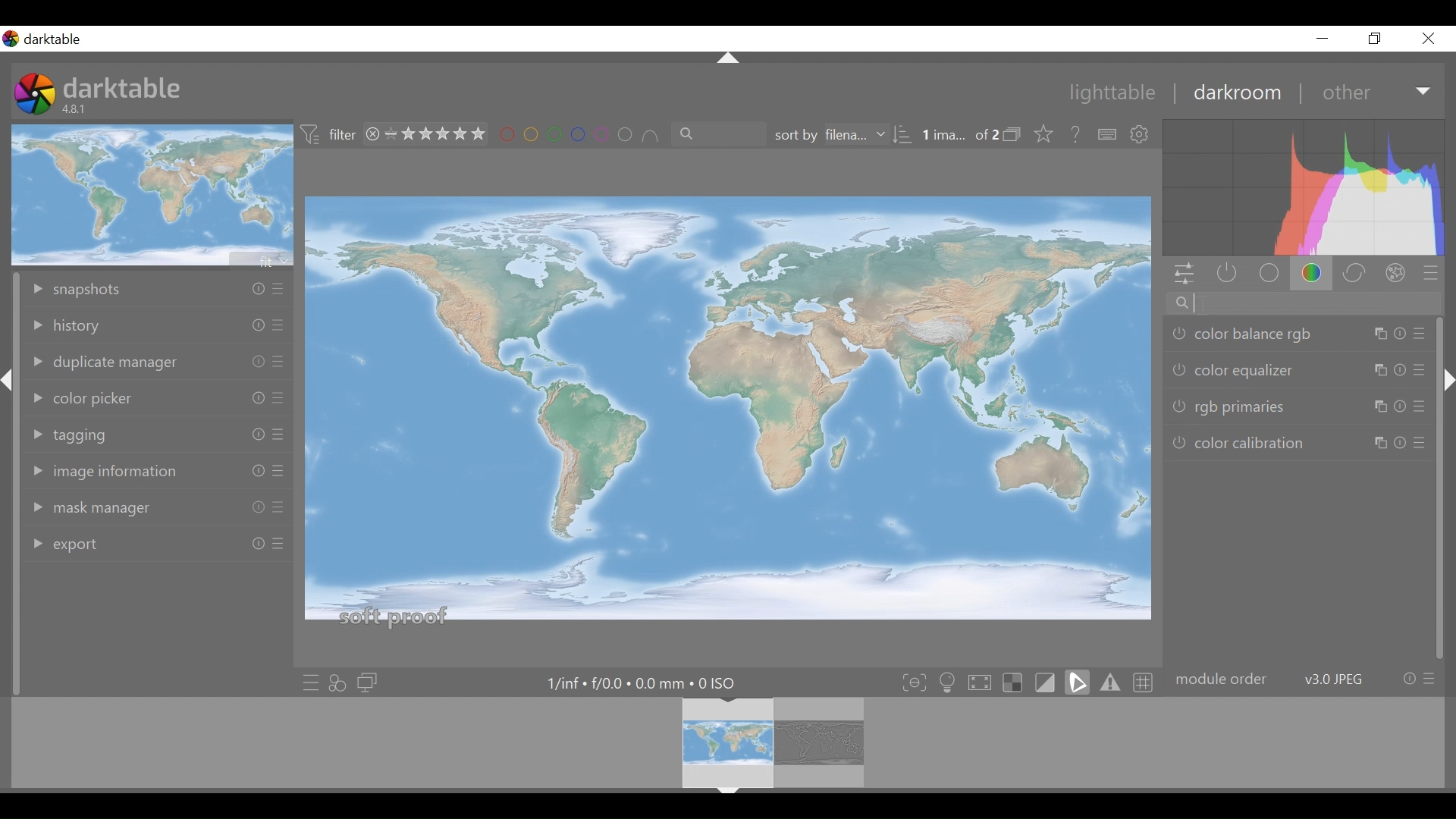 The image size is (1456, 819). Describe the element at coordinates (839, 133) in the screenshot. I see `sort by filename` at that location.